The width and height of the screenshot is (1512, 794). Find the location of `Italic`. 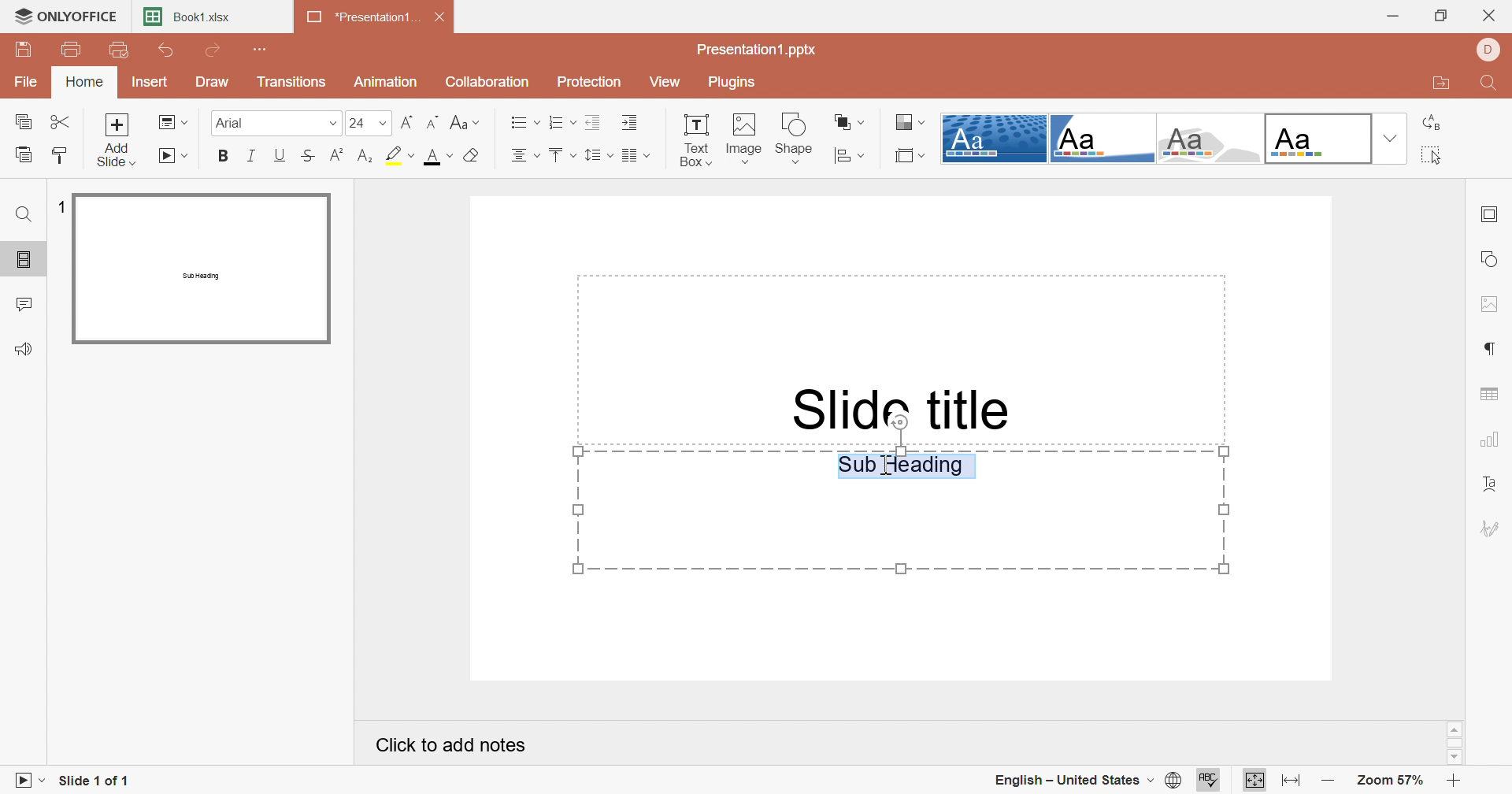

Italic is located at coordinates (254, 154).